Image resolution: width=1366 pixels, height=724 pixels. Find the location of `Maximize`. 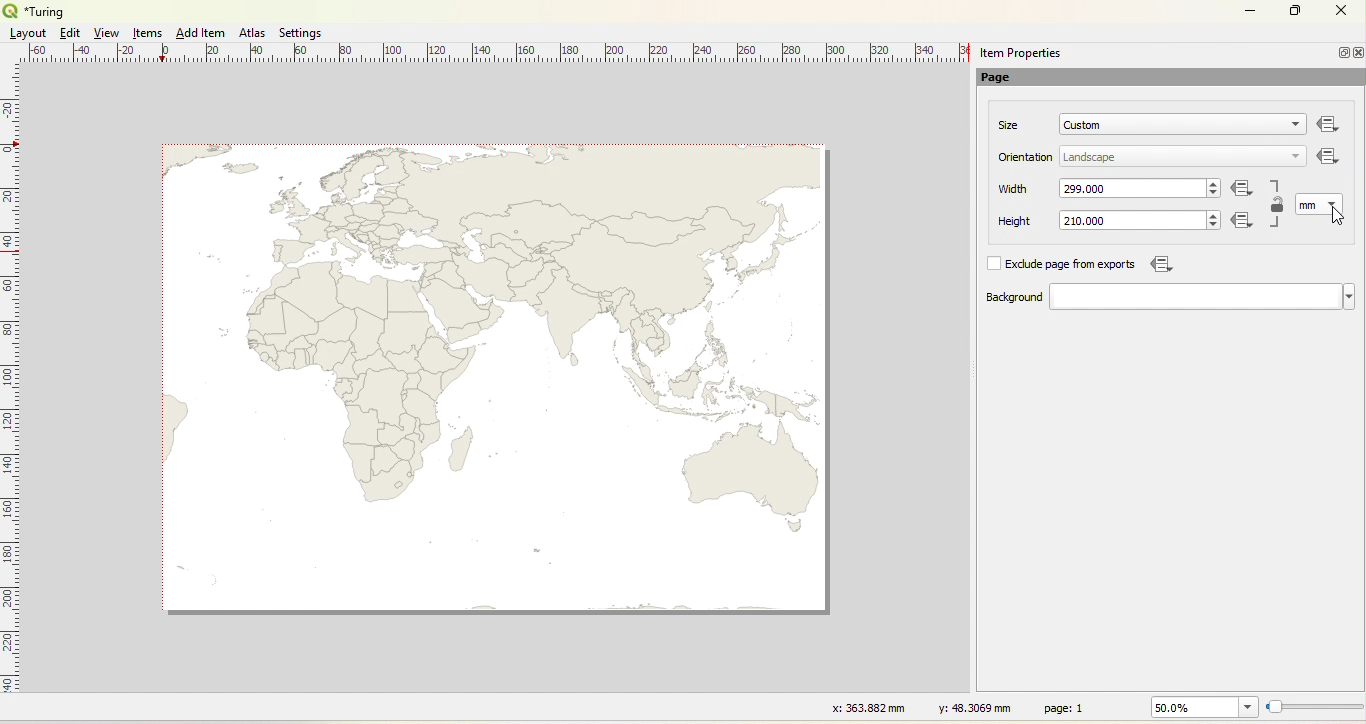

Maximize is located at coordinates (1296, 12).